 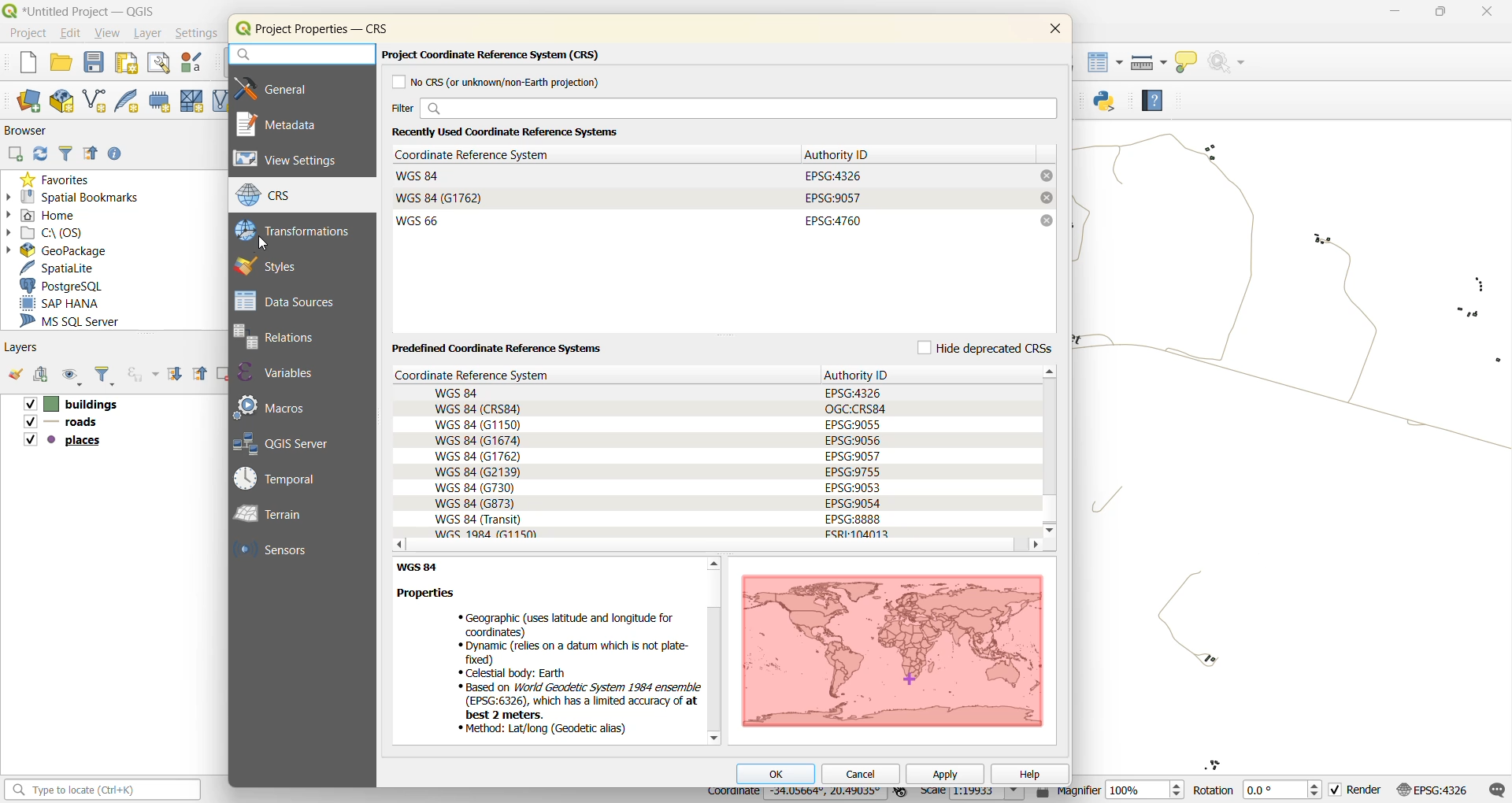 I want to click on crs, so click(x=276, y=197).